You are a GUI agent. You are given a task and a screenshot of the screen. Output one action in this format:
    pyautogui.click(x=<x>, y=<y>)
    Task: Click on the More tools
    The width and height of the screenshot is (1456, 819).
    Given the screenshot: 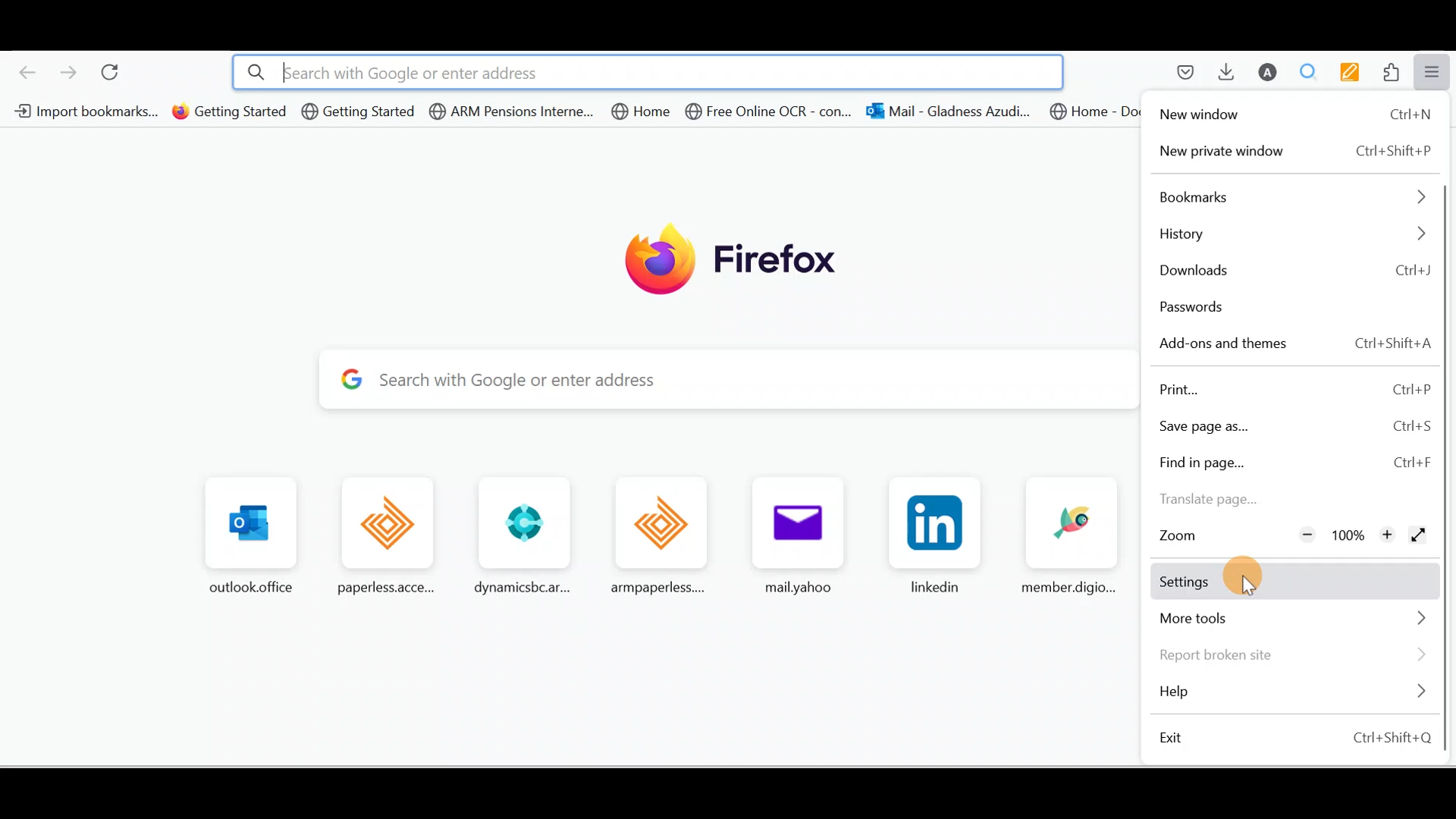 What is the action you would take?
    pyautogui.click(x=1294, y=623)
    